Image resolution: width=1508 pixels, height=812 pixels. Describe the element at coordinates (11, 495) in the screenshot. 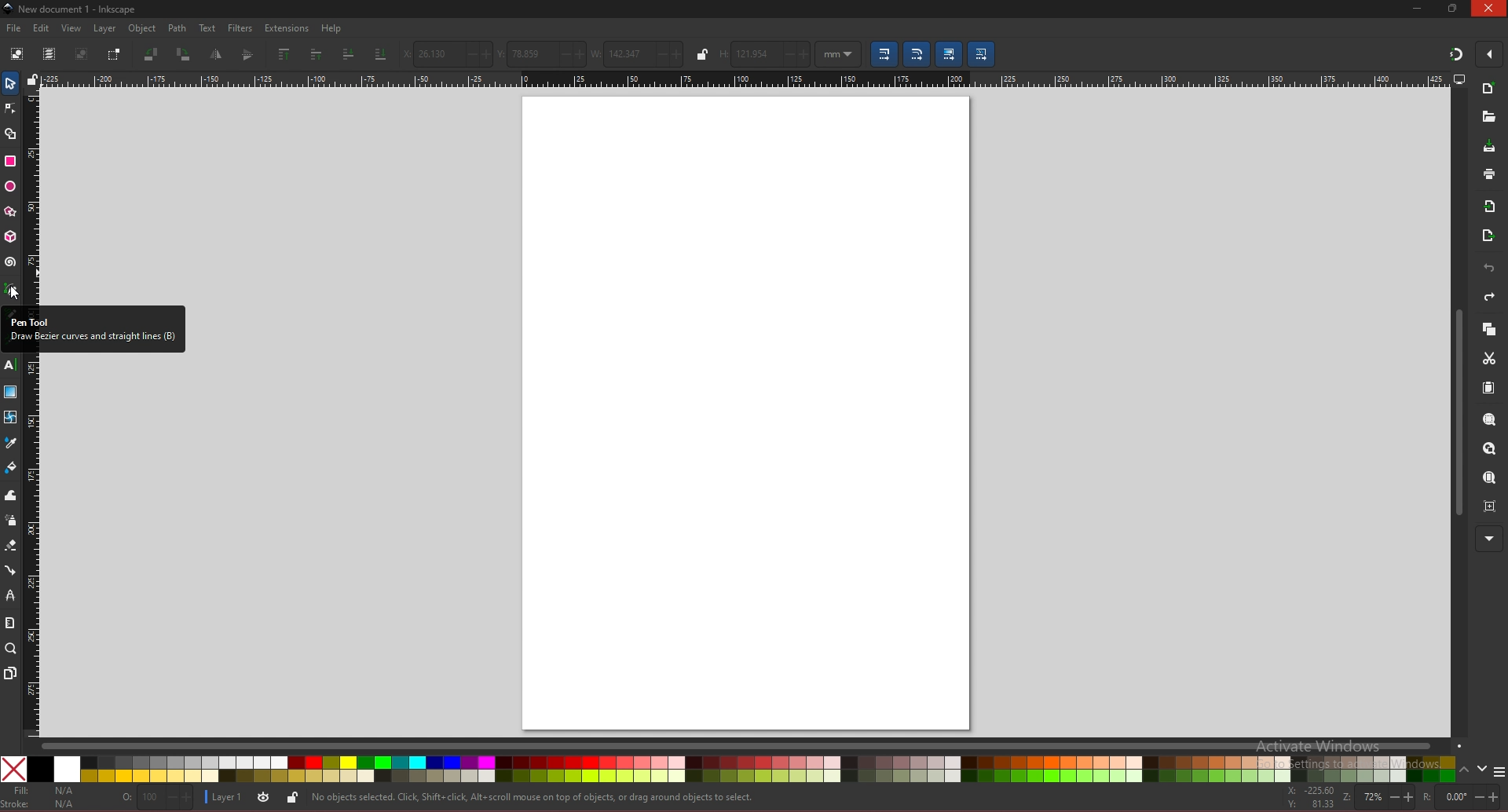

I see `tweak` at that location.